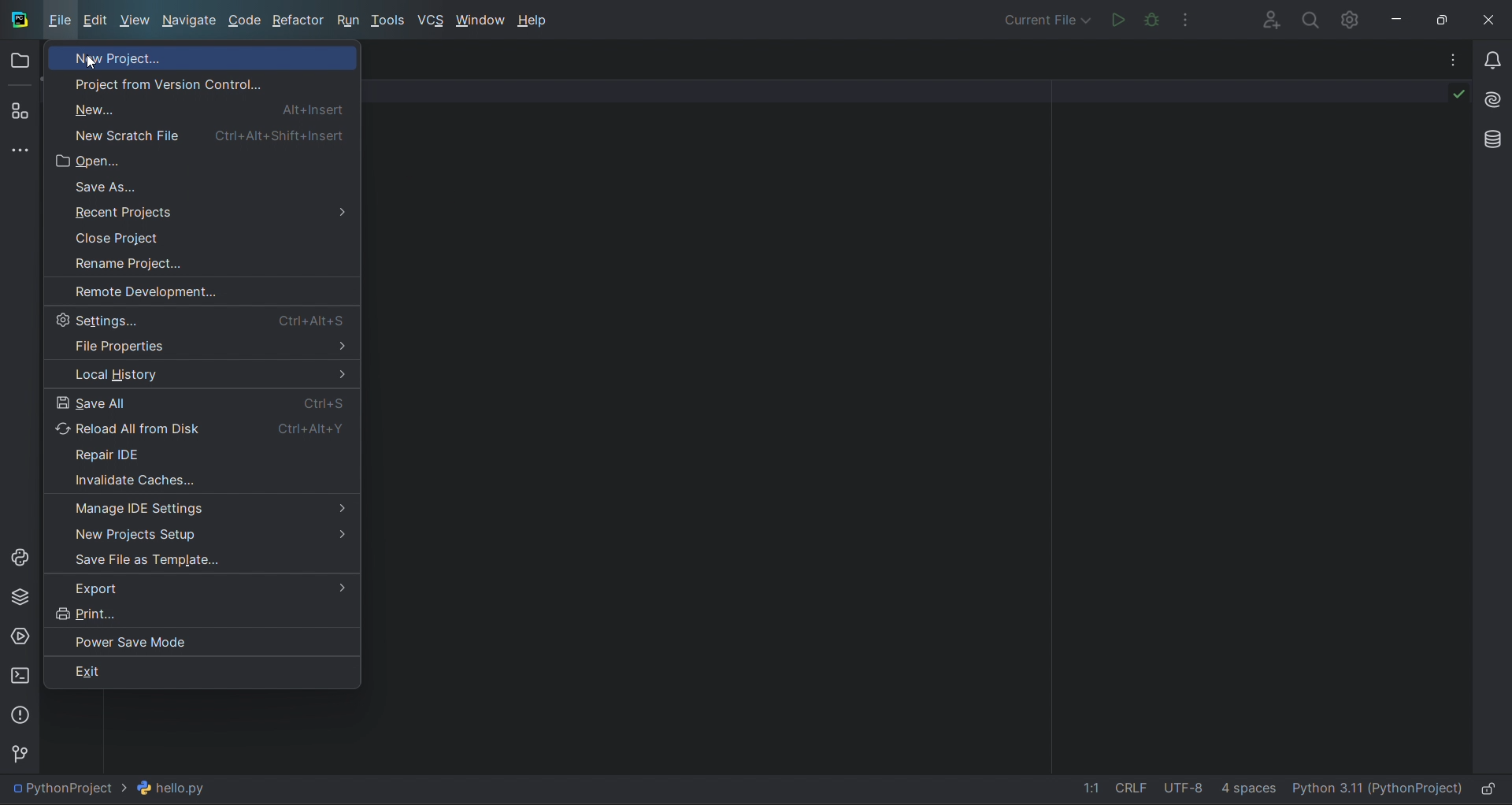 Image resolution: width=1512 pixels, height=805 pixels. Describe the element at coordinates (188, 20) in the screenshot. I see `navigate` at that location.